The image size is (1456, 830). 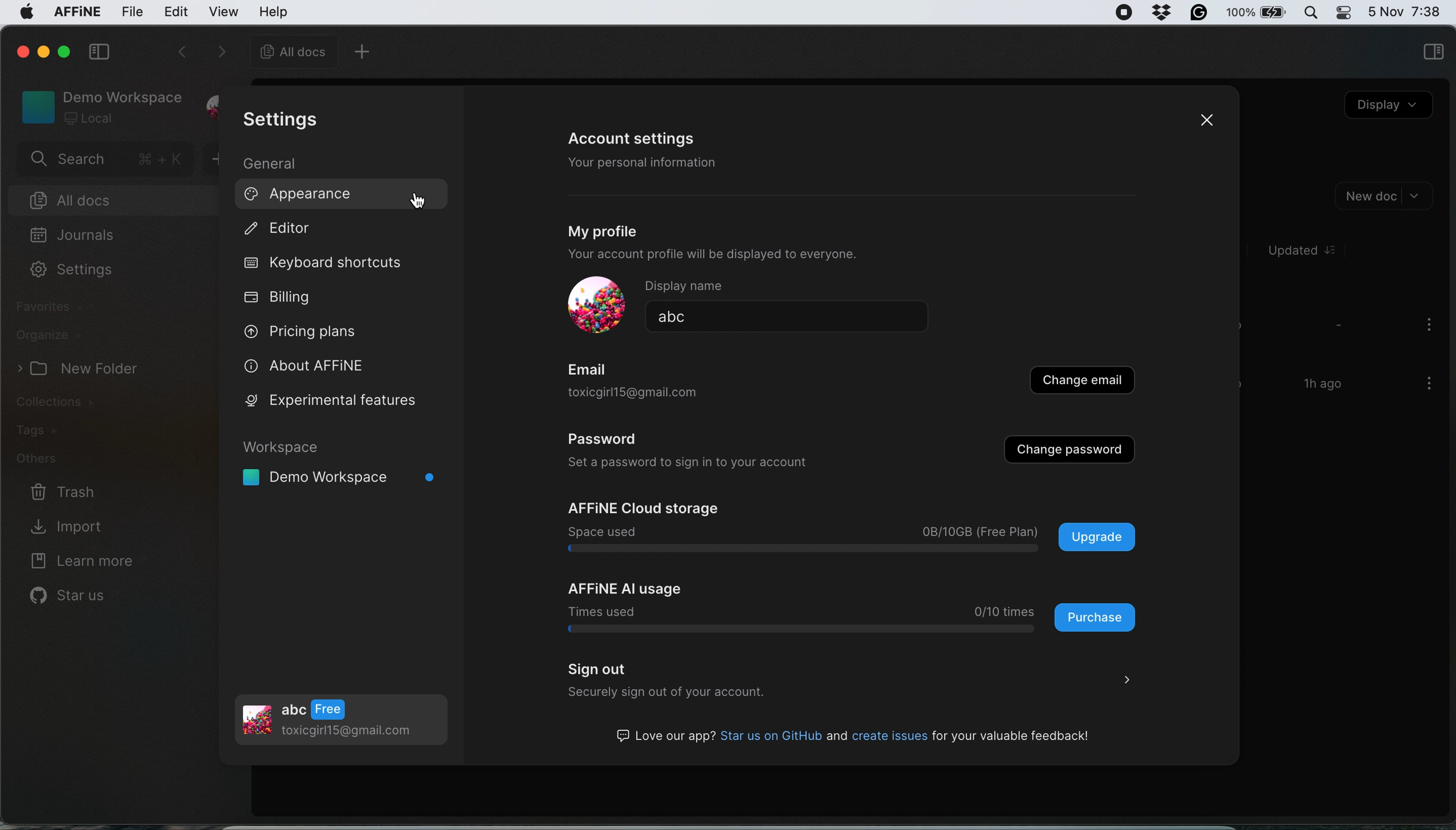 What do you see at coordinates (800, 628) in the screenshot?
I see `log bar` at bounding box center [800, 628].